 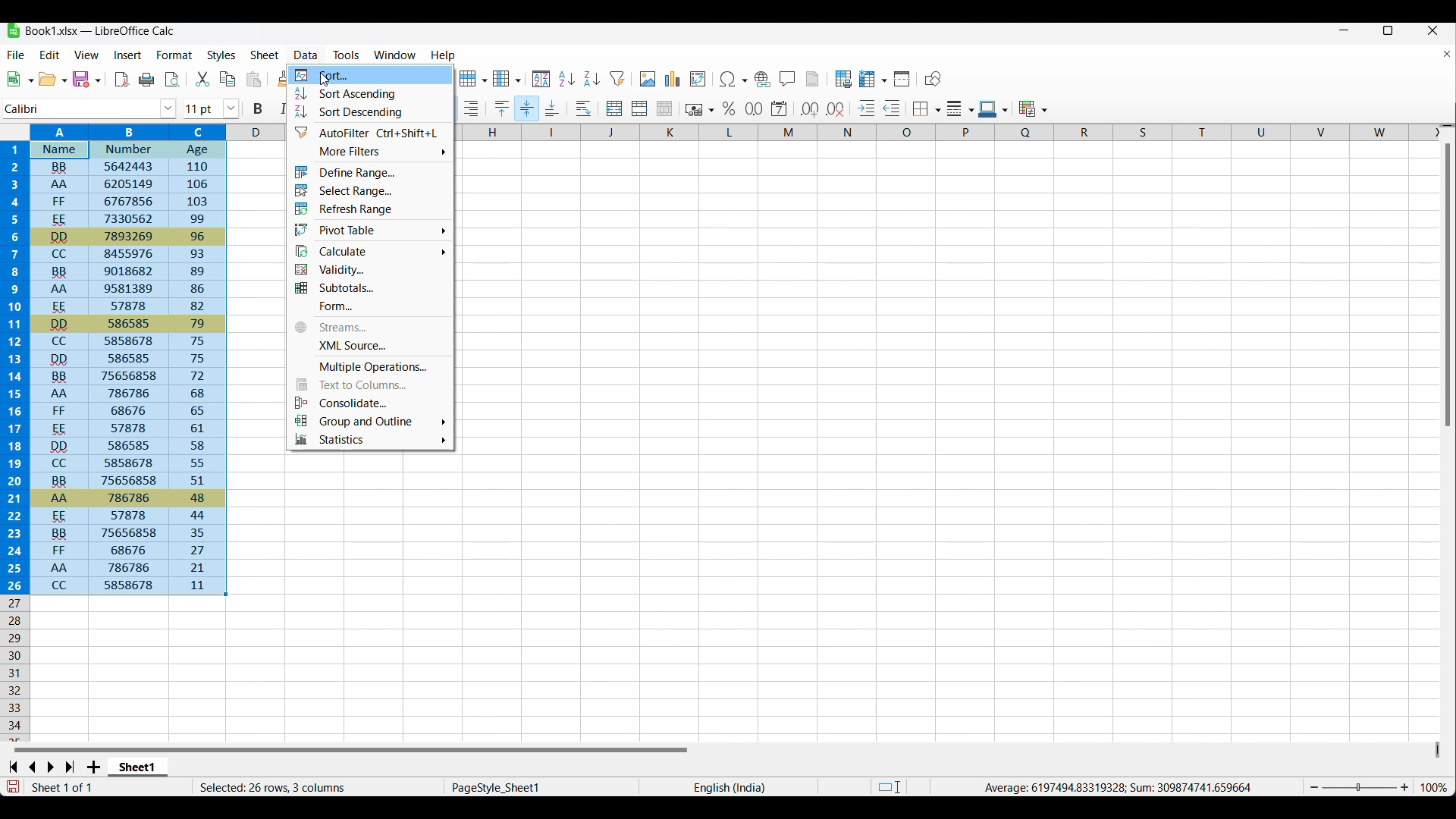 I want to click on Consolidate, so click(x=369, y=402).